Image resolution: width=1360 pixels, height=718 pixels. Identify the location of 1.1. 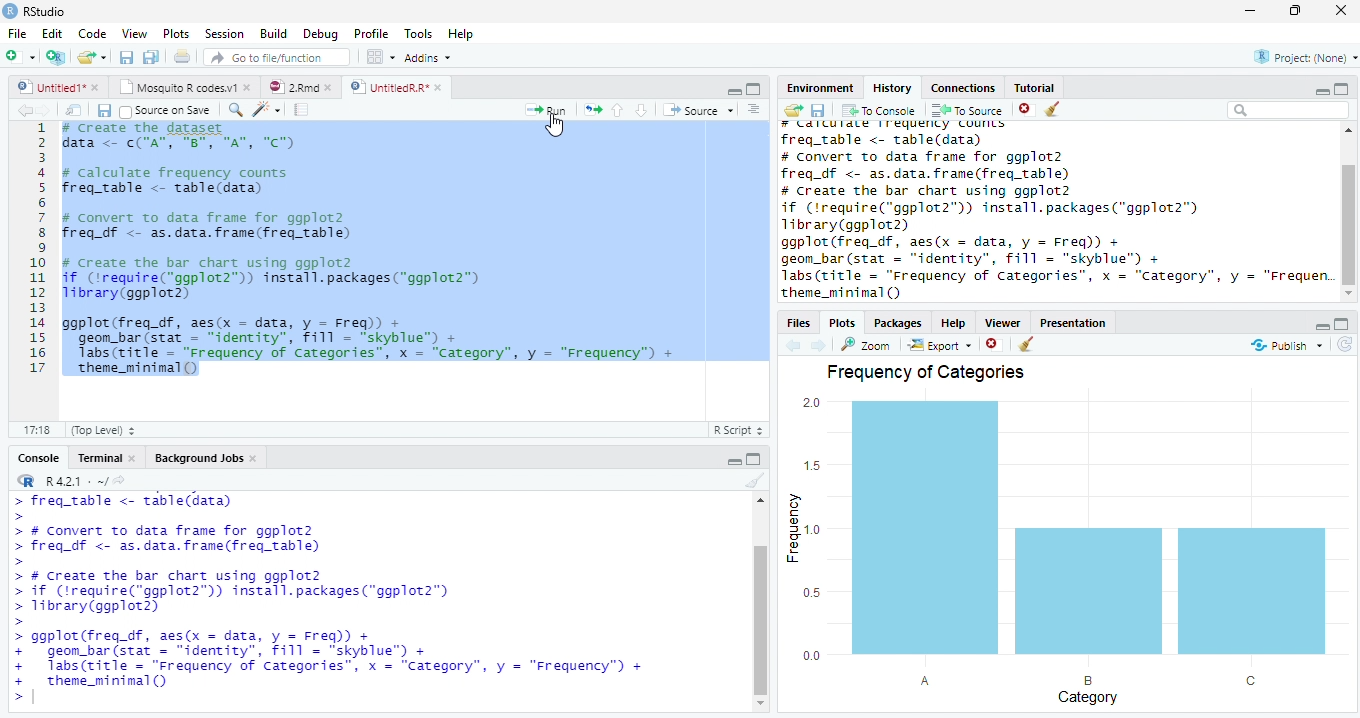
(32, 429).